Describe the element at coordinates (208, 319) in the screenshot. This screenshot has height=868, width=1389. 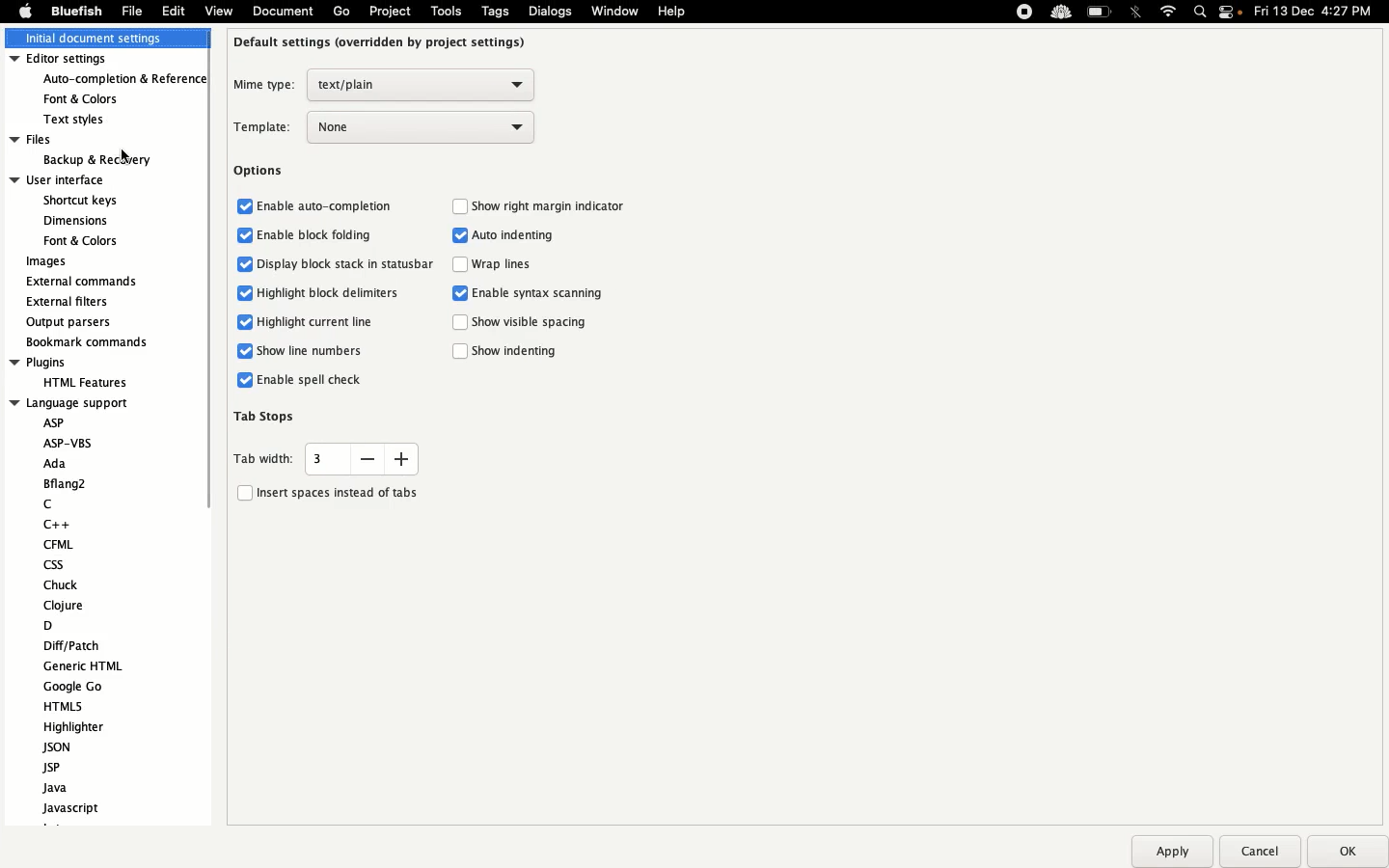
I see `Scroll` at that location.